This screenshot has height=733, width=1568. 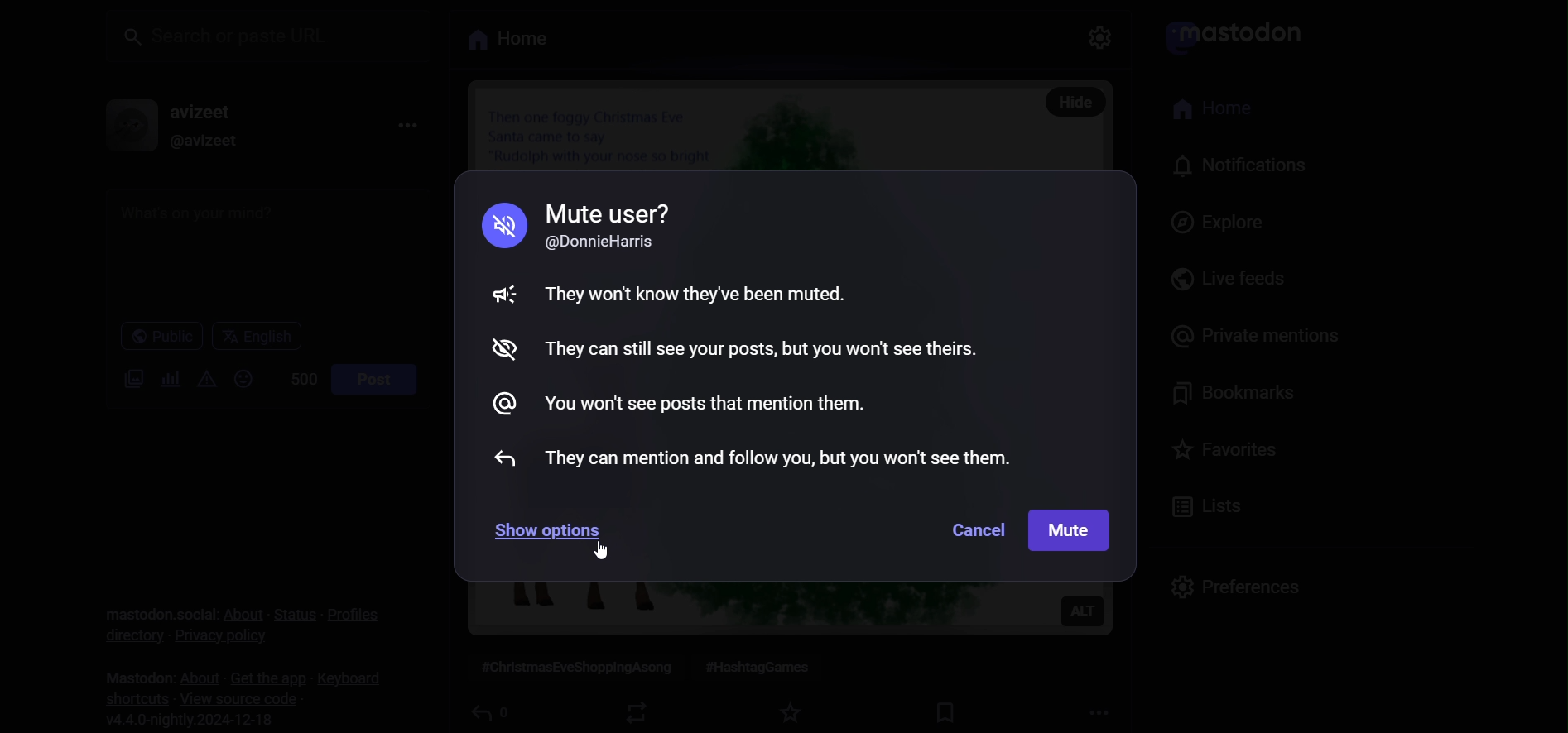 I want to click on cancel, so click(x=979, y=530).